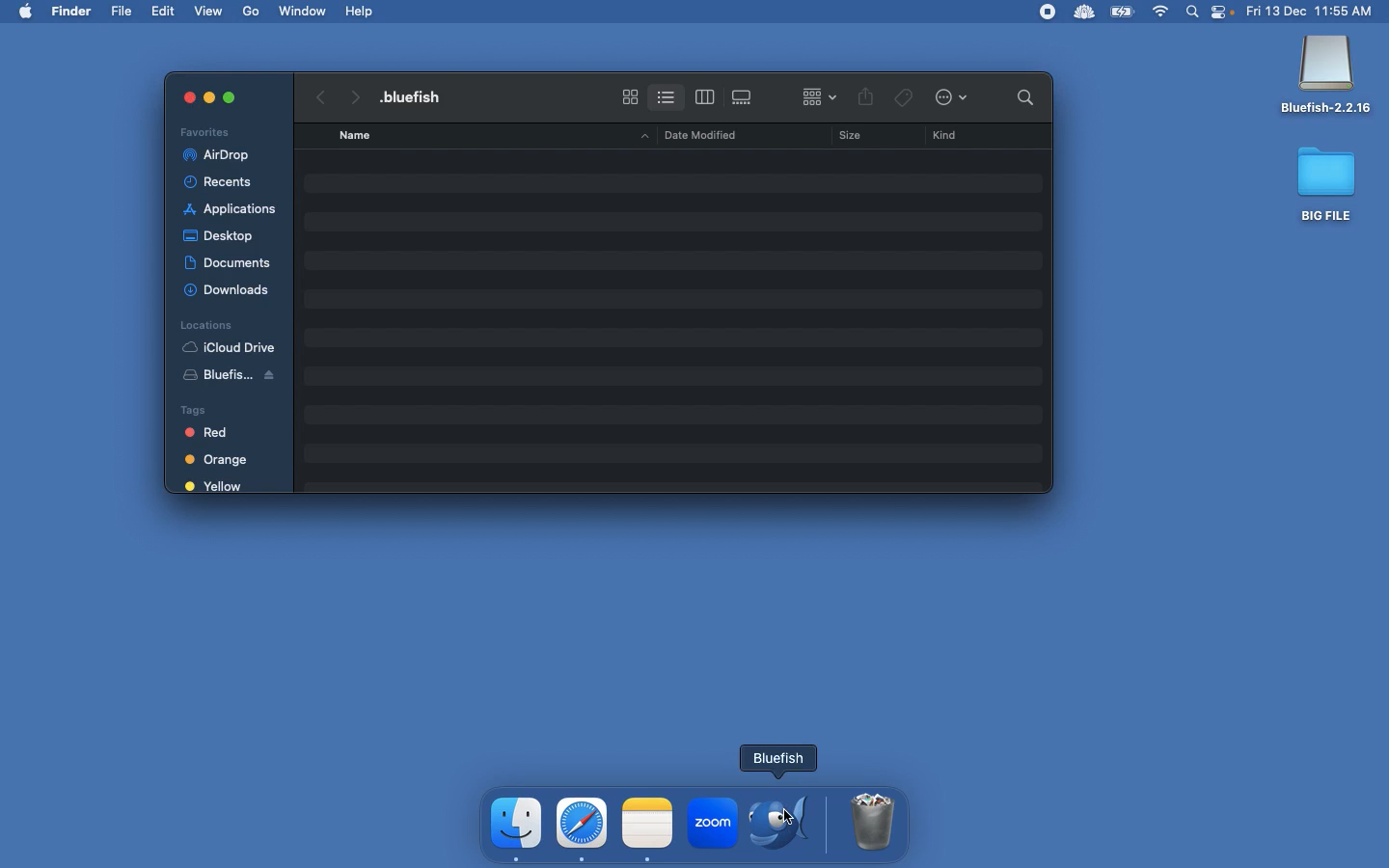  Describe the element at coordinates (583, 823) in the screenshot. I see `safari` at that location.